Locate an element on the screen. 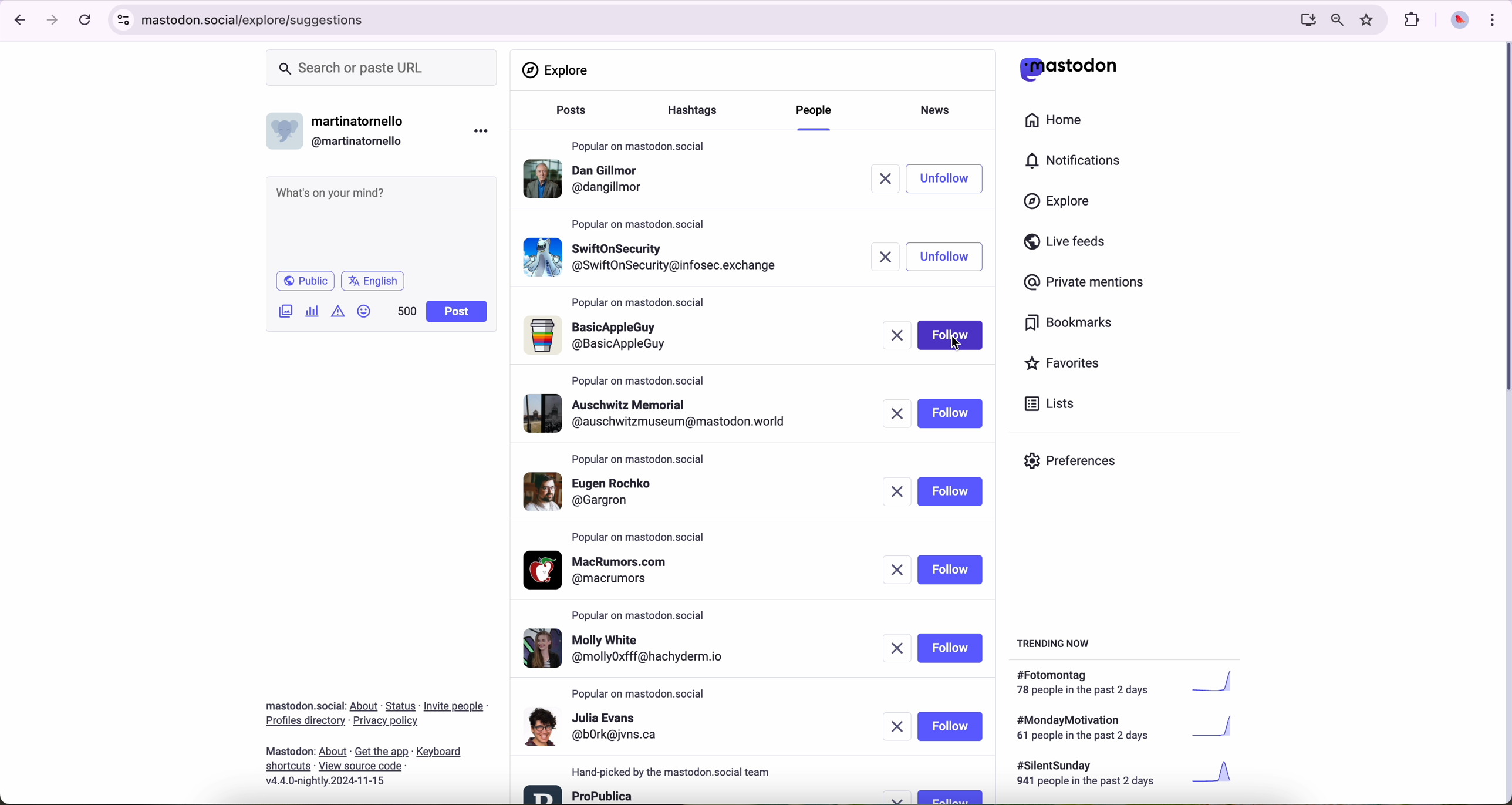 Image resolution: width=1512 pixels, height=805 pixels. matodon logo is located at coordinates (1069, 69).